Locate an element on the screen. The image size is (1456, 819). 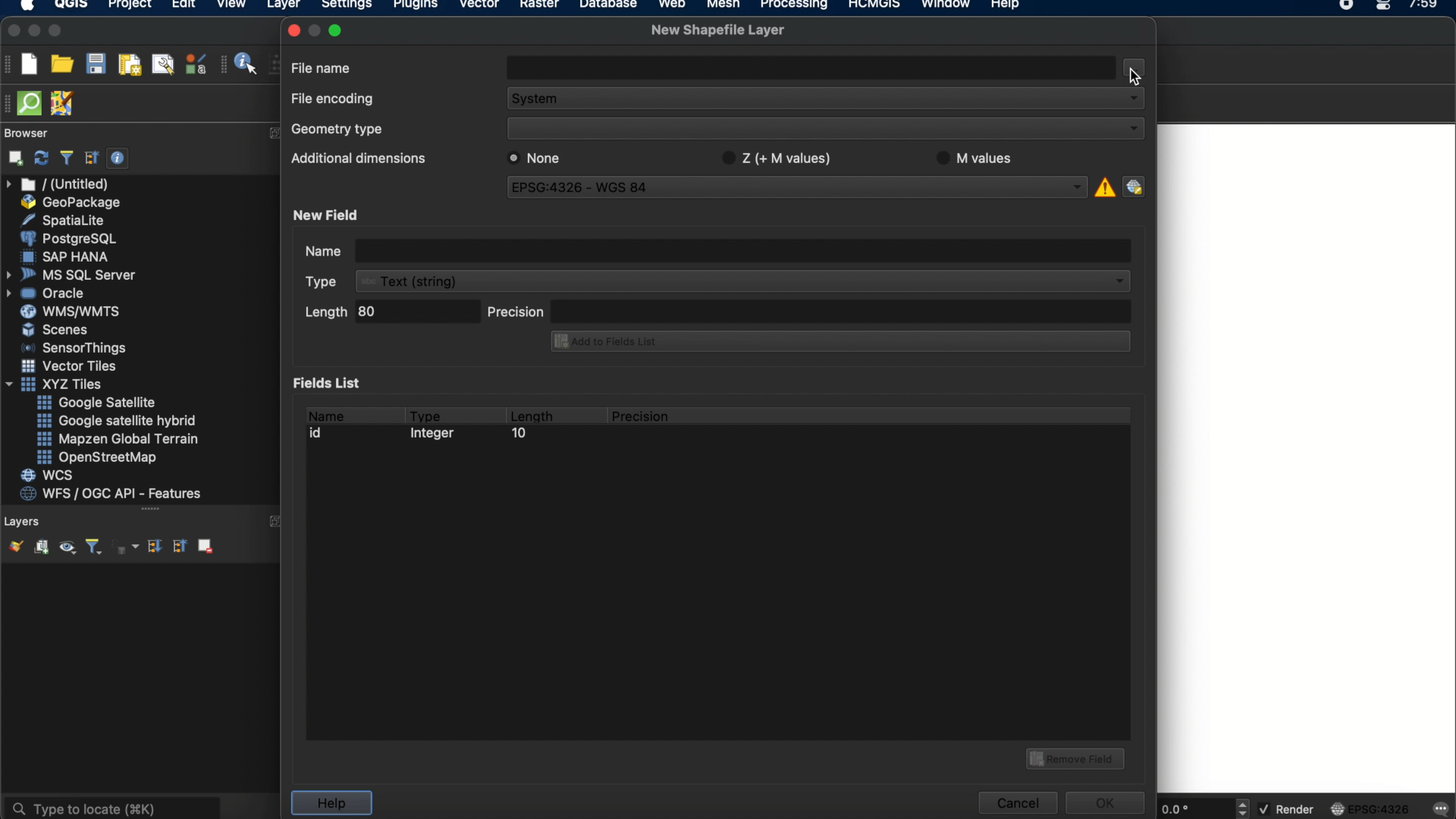
scenes is located at coordinates (56, 329).